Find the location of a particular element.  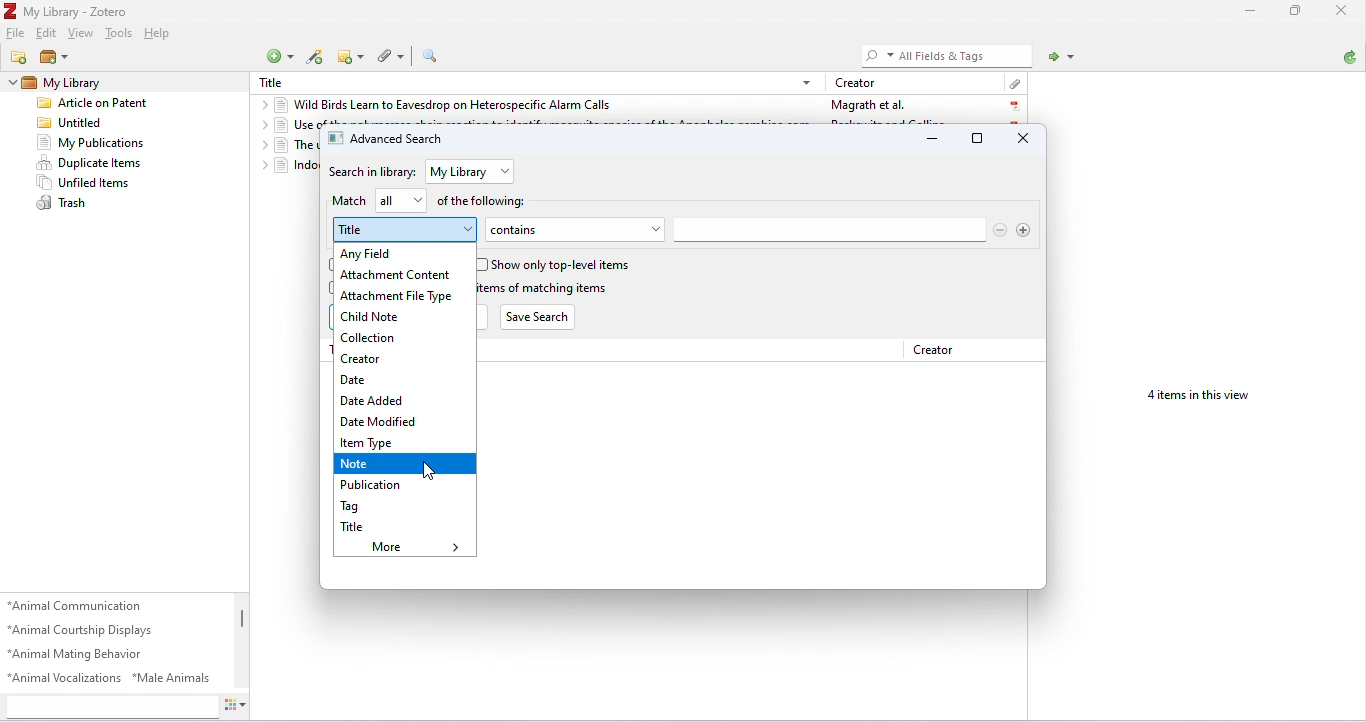

attachment is located at coordinates (1015, 83).